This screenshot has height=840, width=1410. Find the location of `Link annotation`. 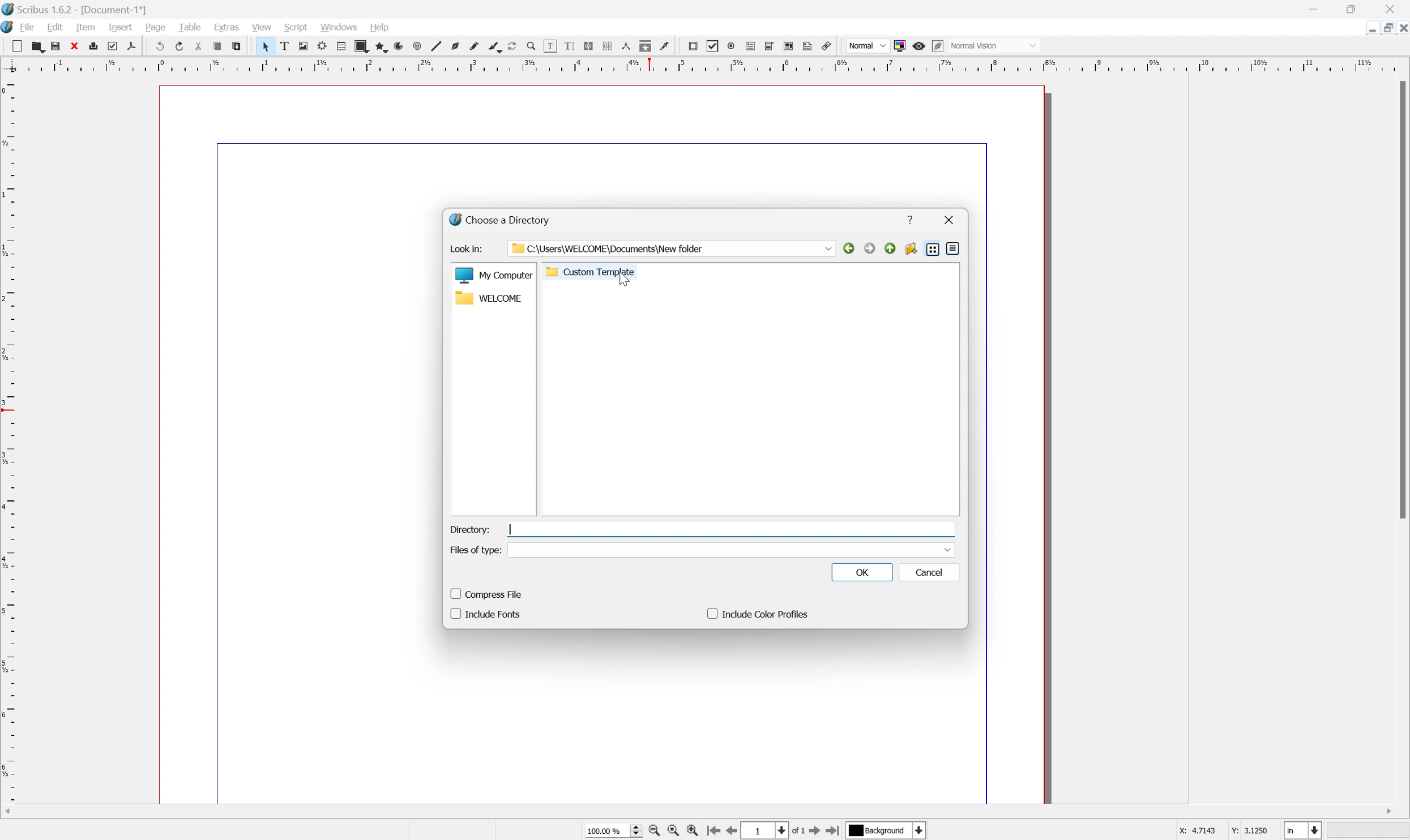

Link annotation is located at coordinates (828, 46).